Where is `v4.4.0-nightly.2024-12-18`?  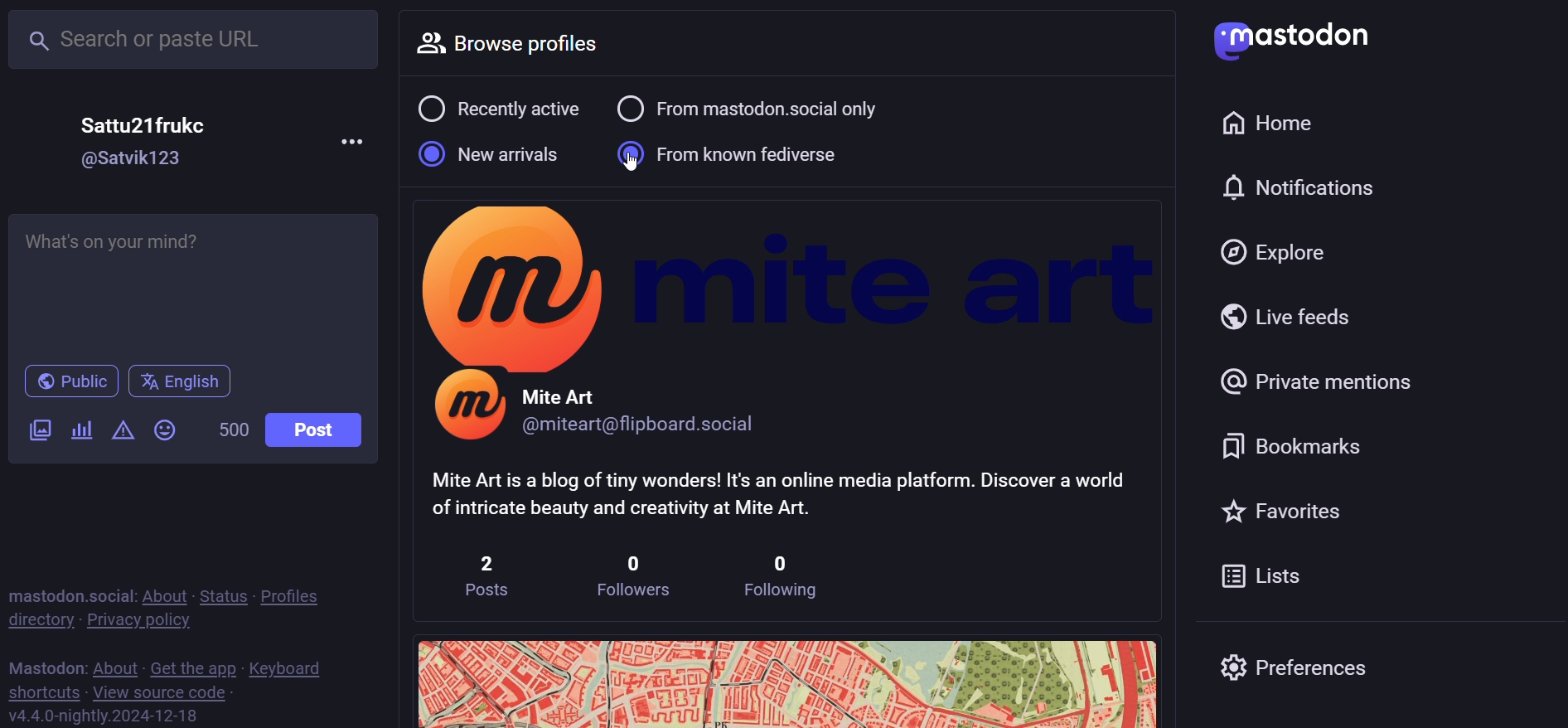 v4.4.0-nightly.2024-12-18 is located at coordinates (100, 714).